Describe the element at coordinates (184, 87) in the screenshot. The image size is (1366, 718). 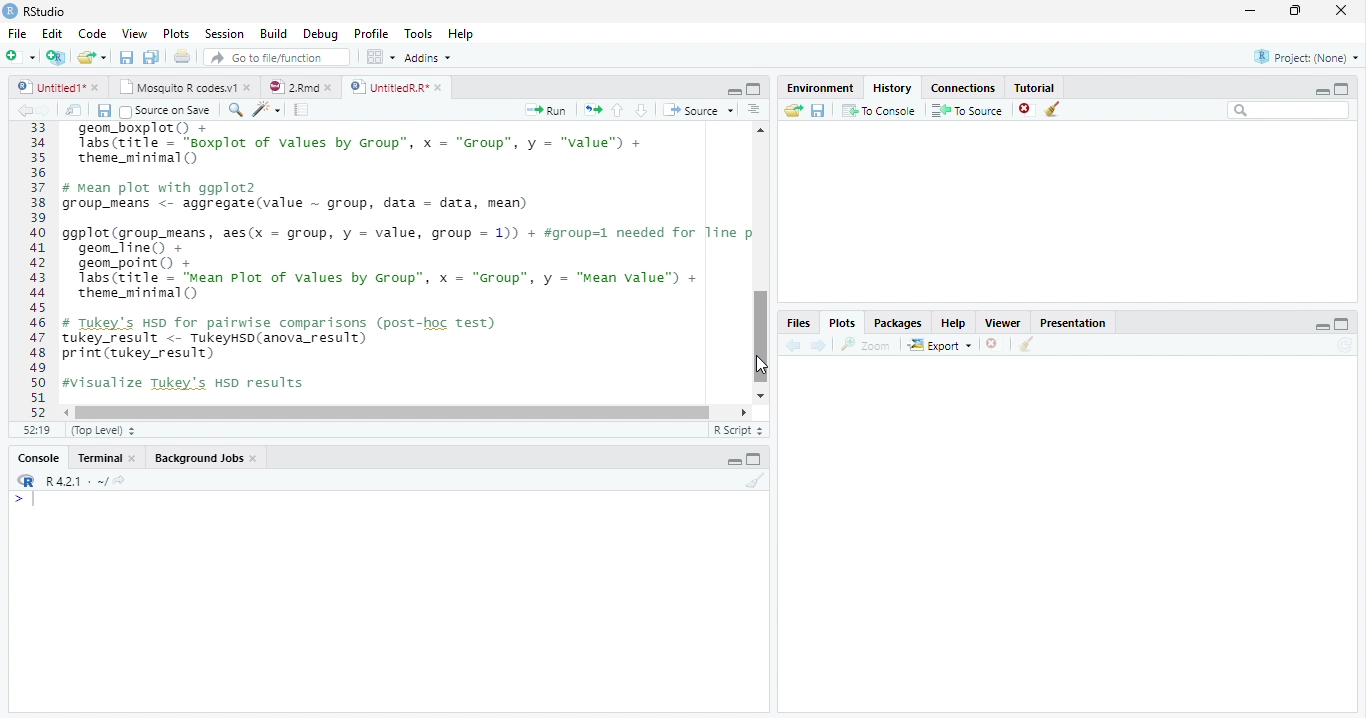
I see `Mosquito R codes` at that location.